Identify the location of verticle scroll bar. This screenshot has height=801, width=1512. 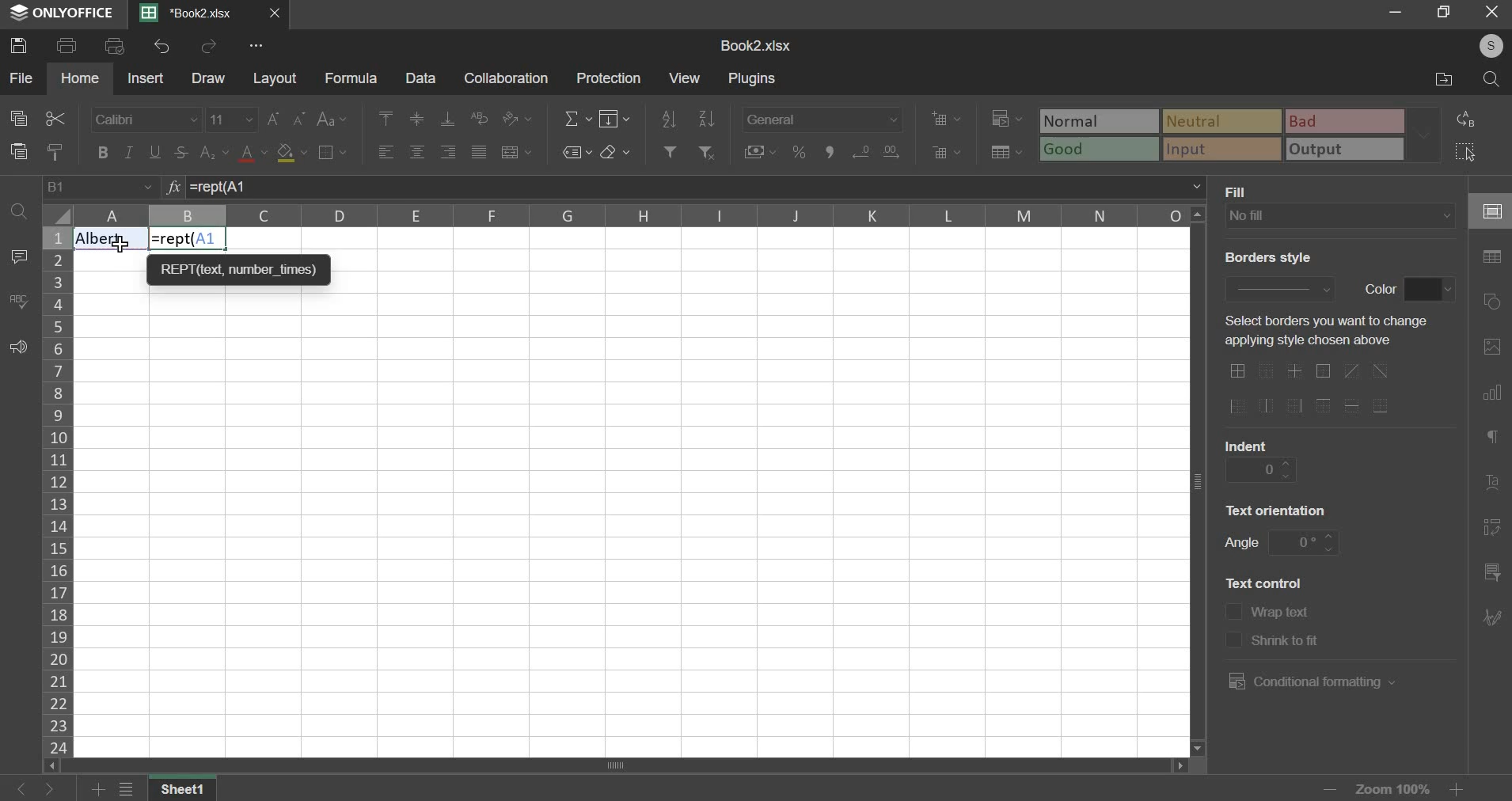
(1202, 480).